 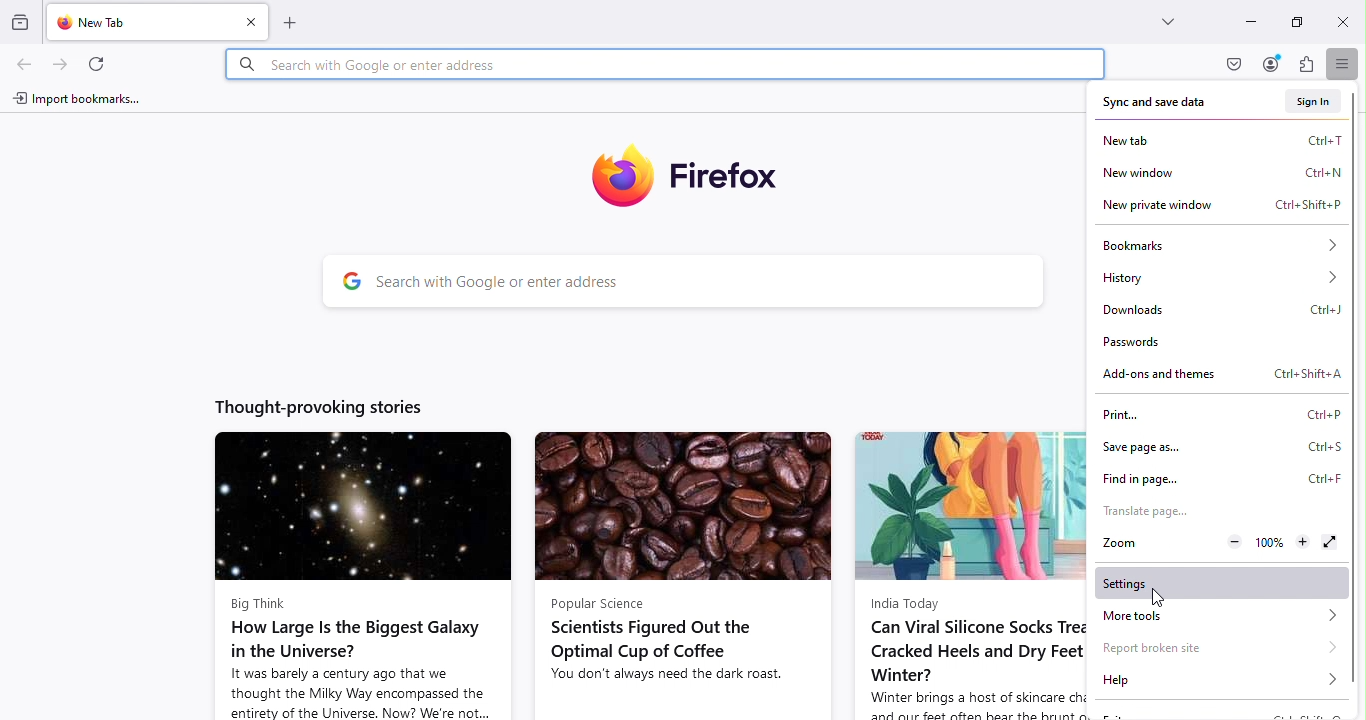 I want to click on Minimize tab, so click(x=1245, y=24).